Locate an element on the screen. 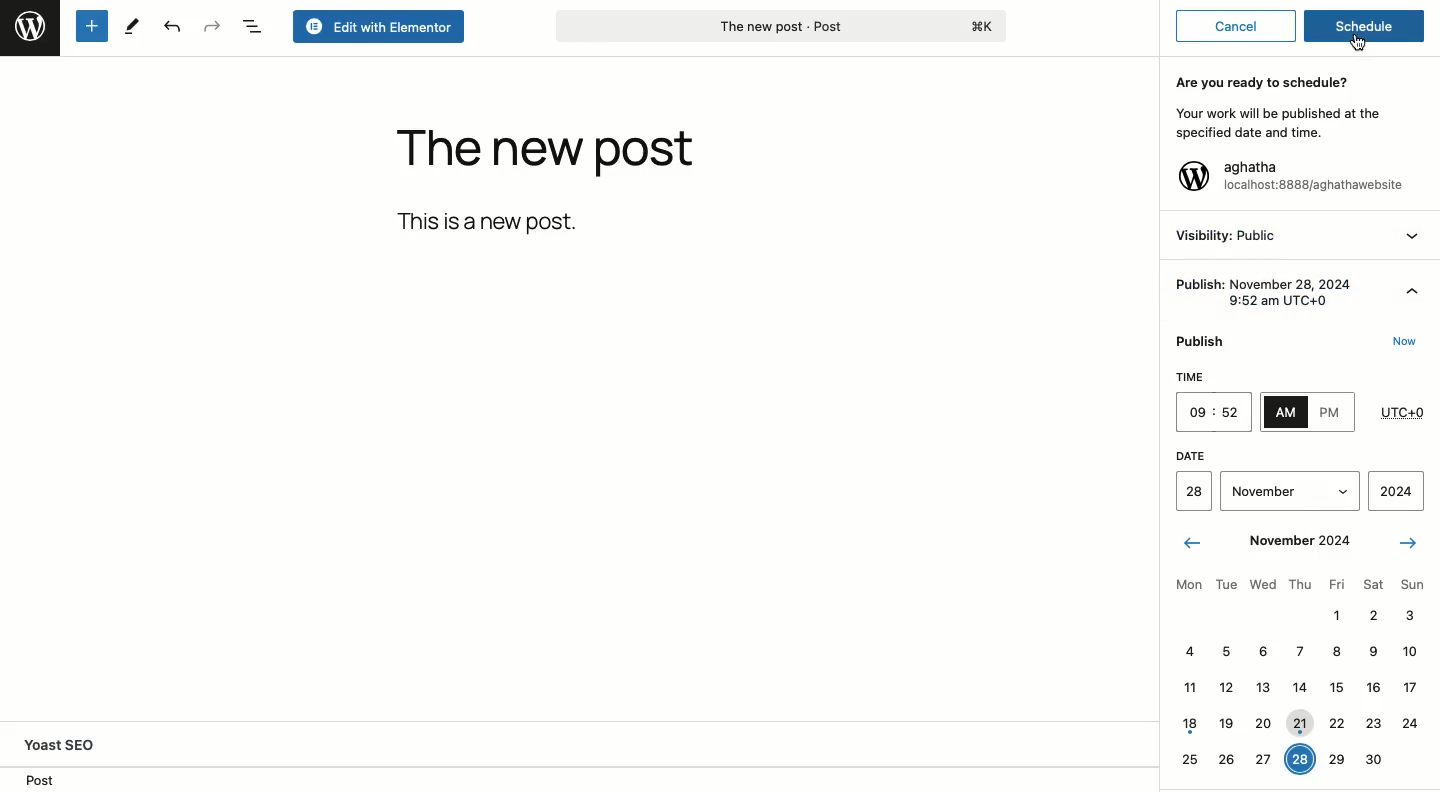 The image size is (1440, 792). Document overview is located at coordinates (255, 26).